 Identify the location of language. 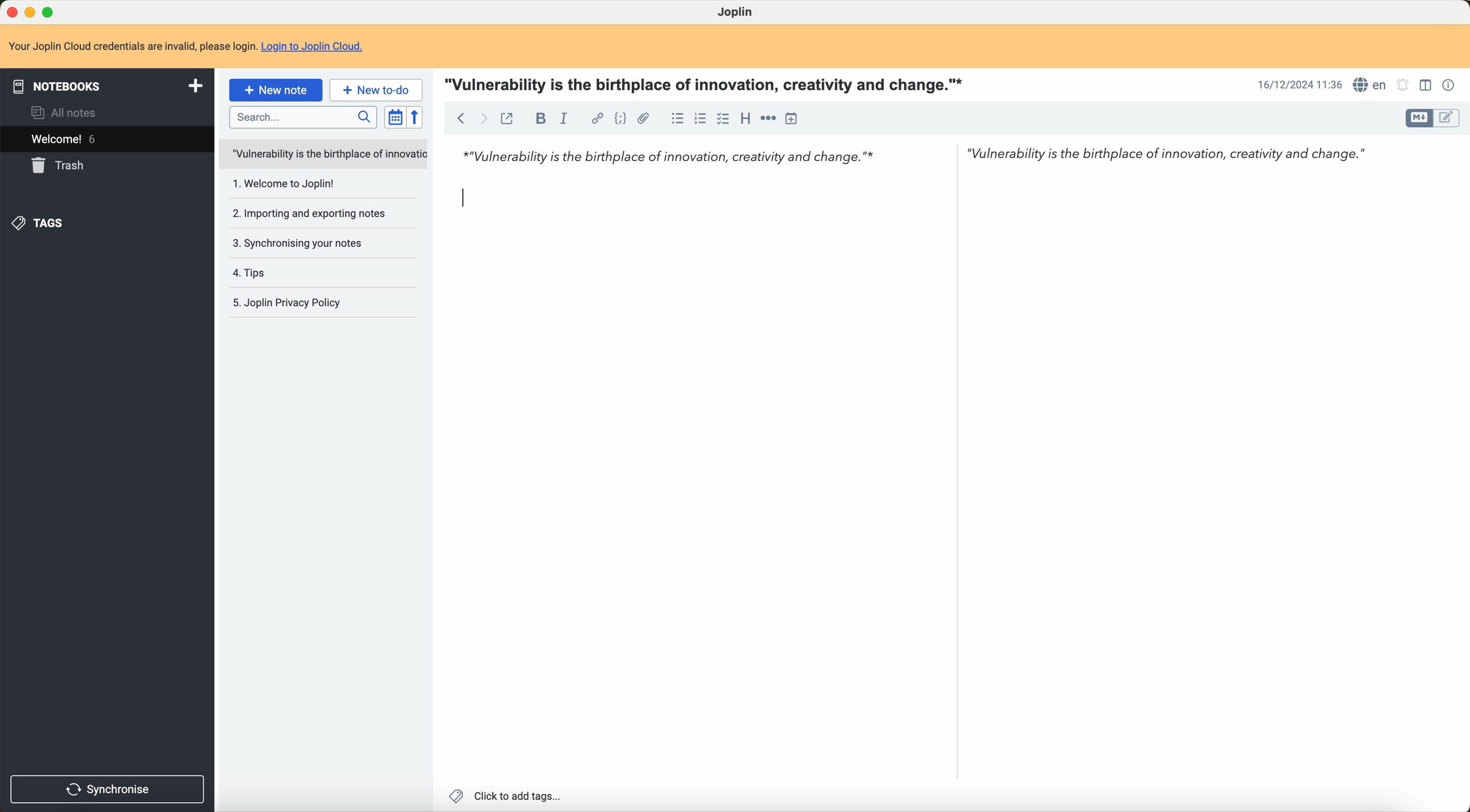
(1370, 84).